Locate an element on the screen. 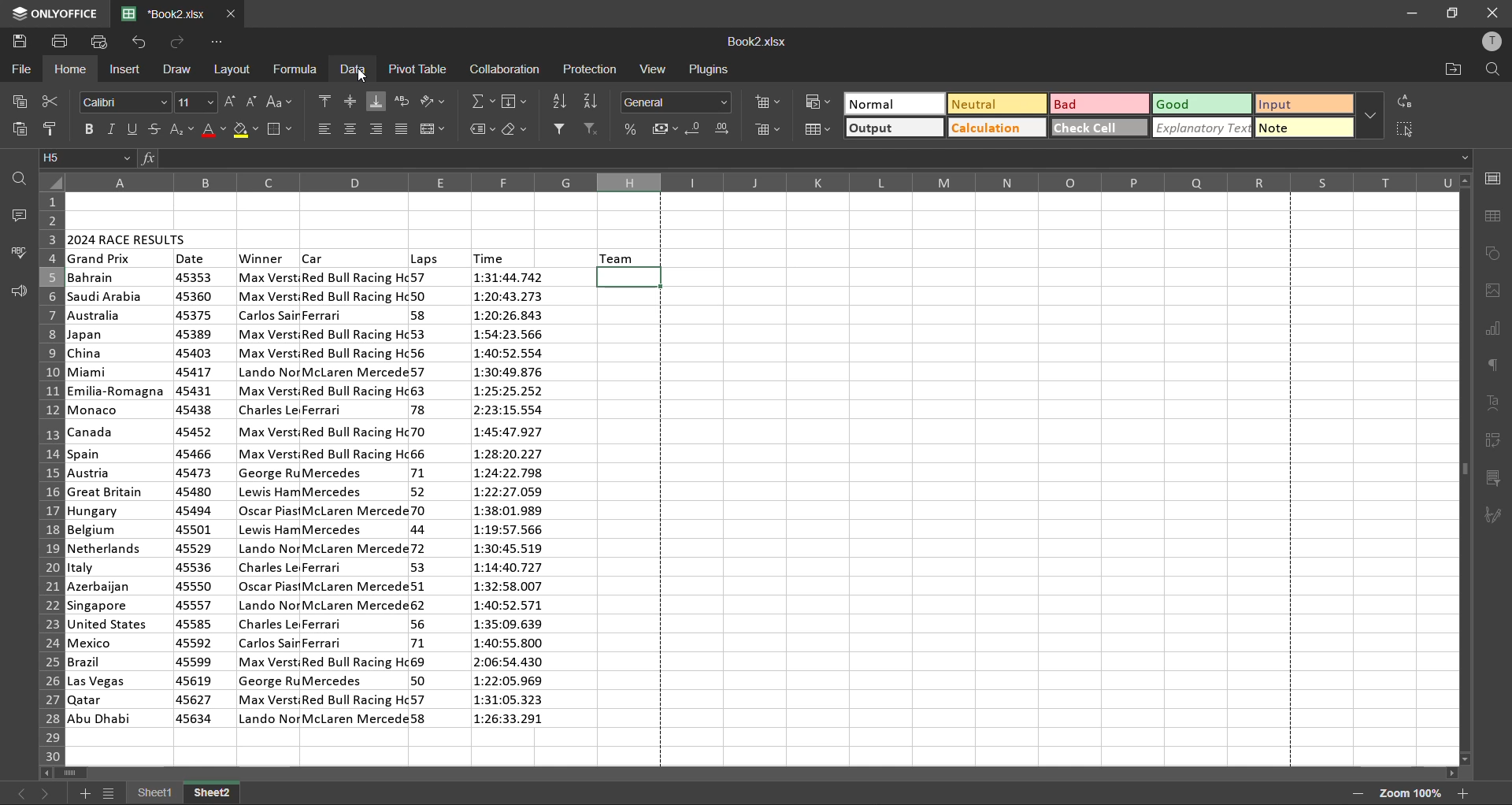 This screenshot has height=805, width=1512. quick print is located at coordinates (98, 42).